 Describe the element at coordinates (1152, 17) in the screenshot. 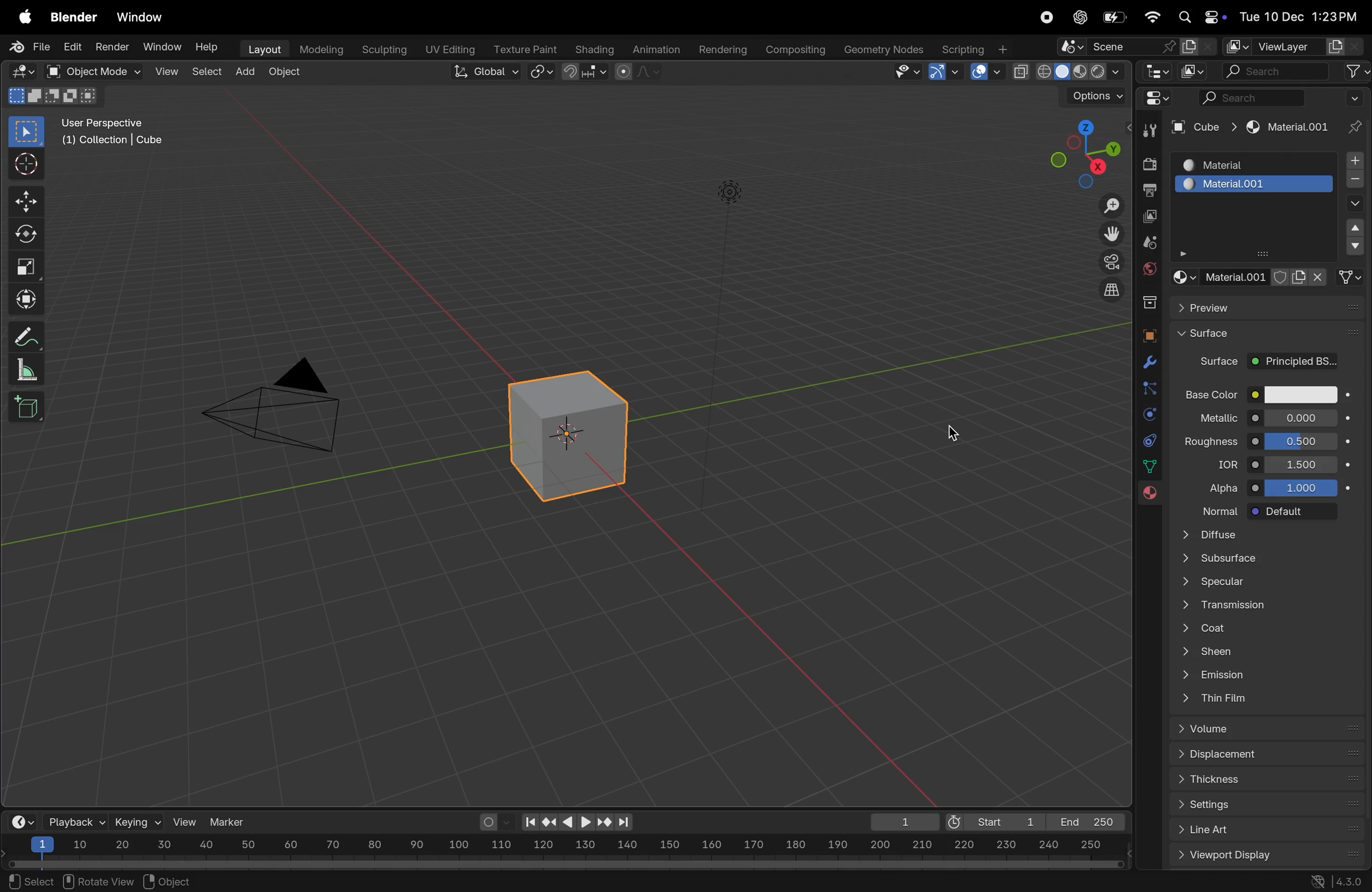

I see `wifi` at that location.